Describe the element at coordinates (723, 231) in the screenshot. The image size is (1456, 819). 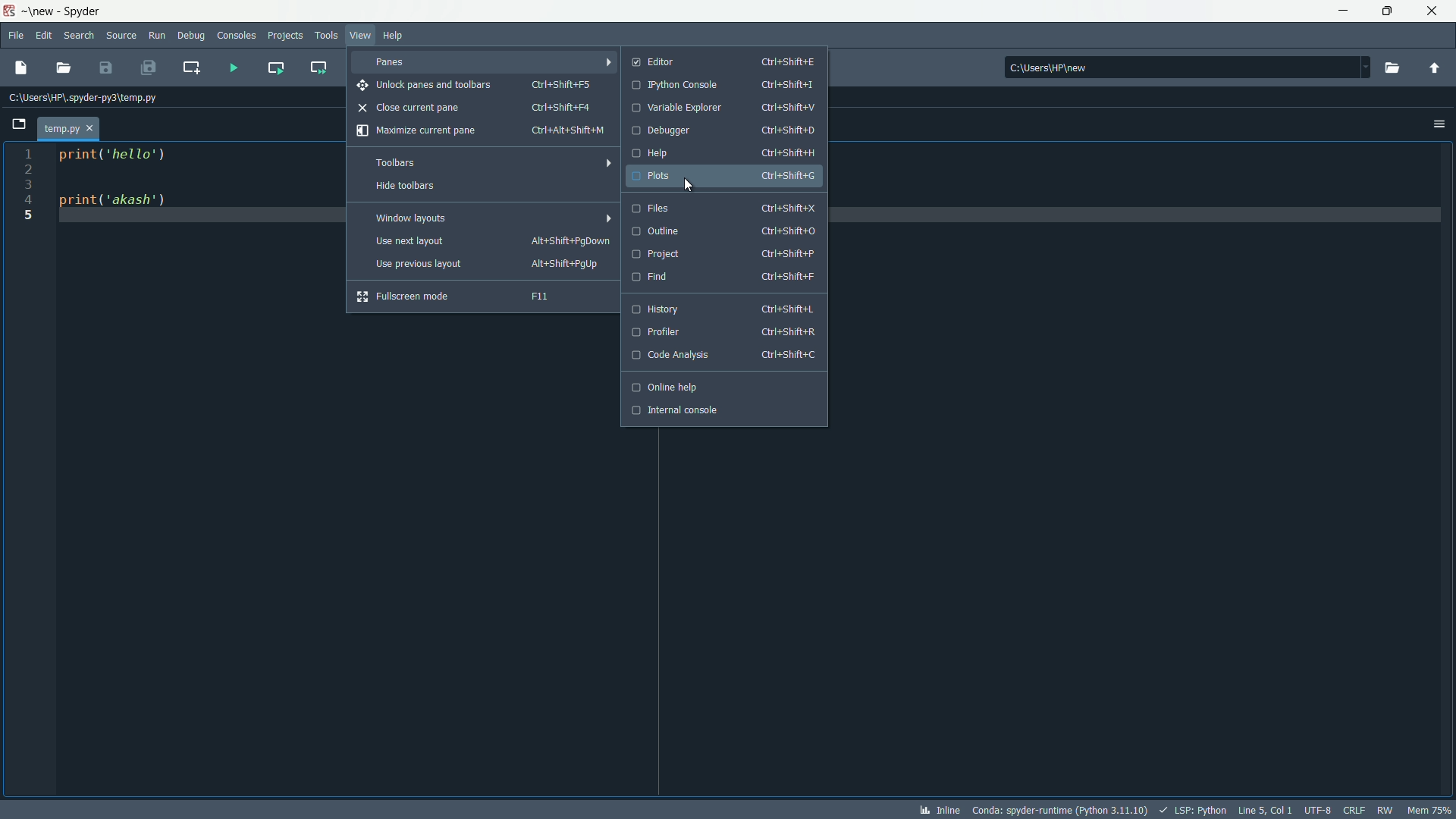
I see `outline` at that location.